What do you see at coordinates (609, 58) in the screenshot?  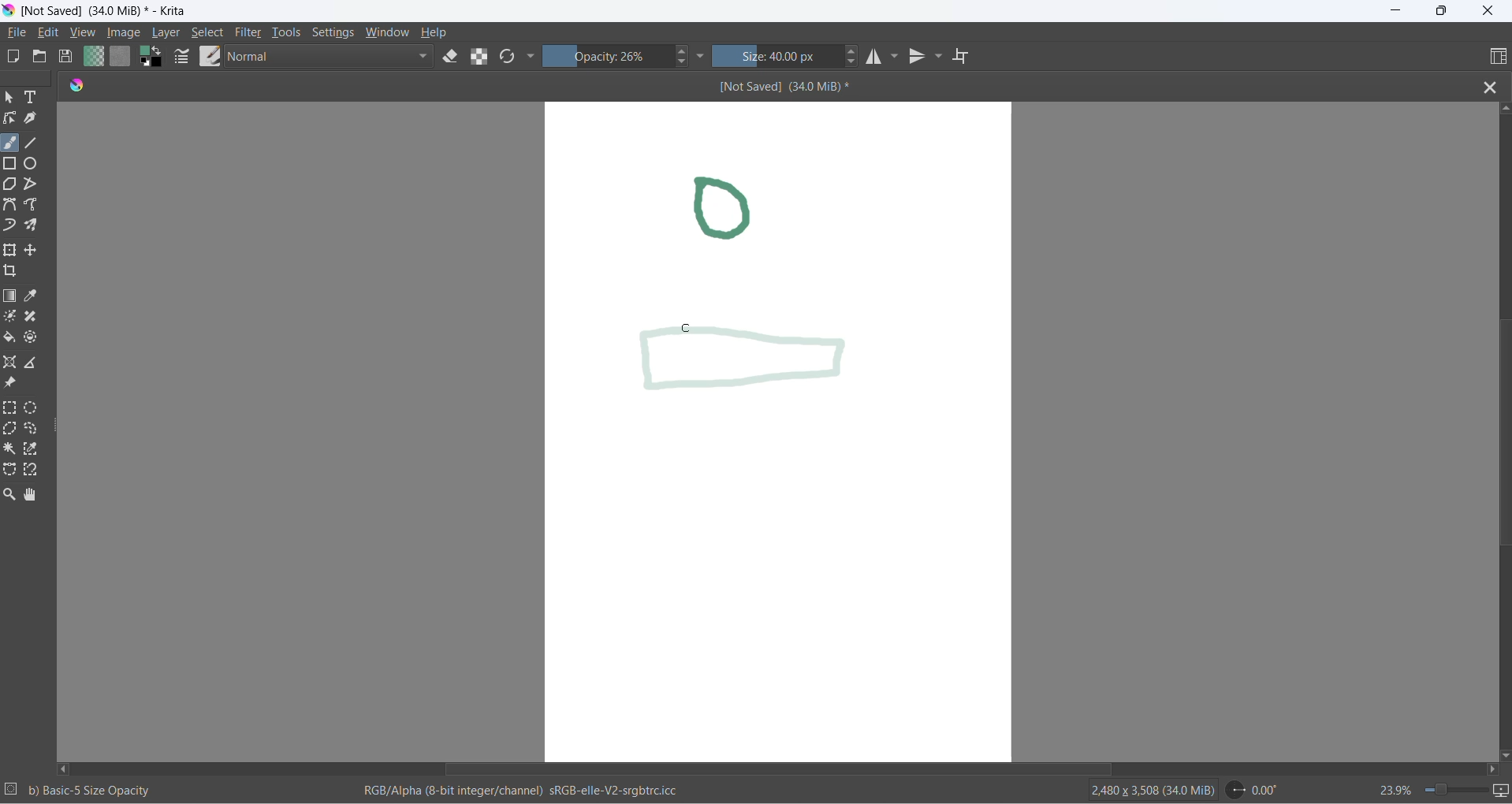 I see `opacity percentange` at bounding box center [609, 58].